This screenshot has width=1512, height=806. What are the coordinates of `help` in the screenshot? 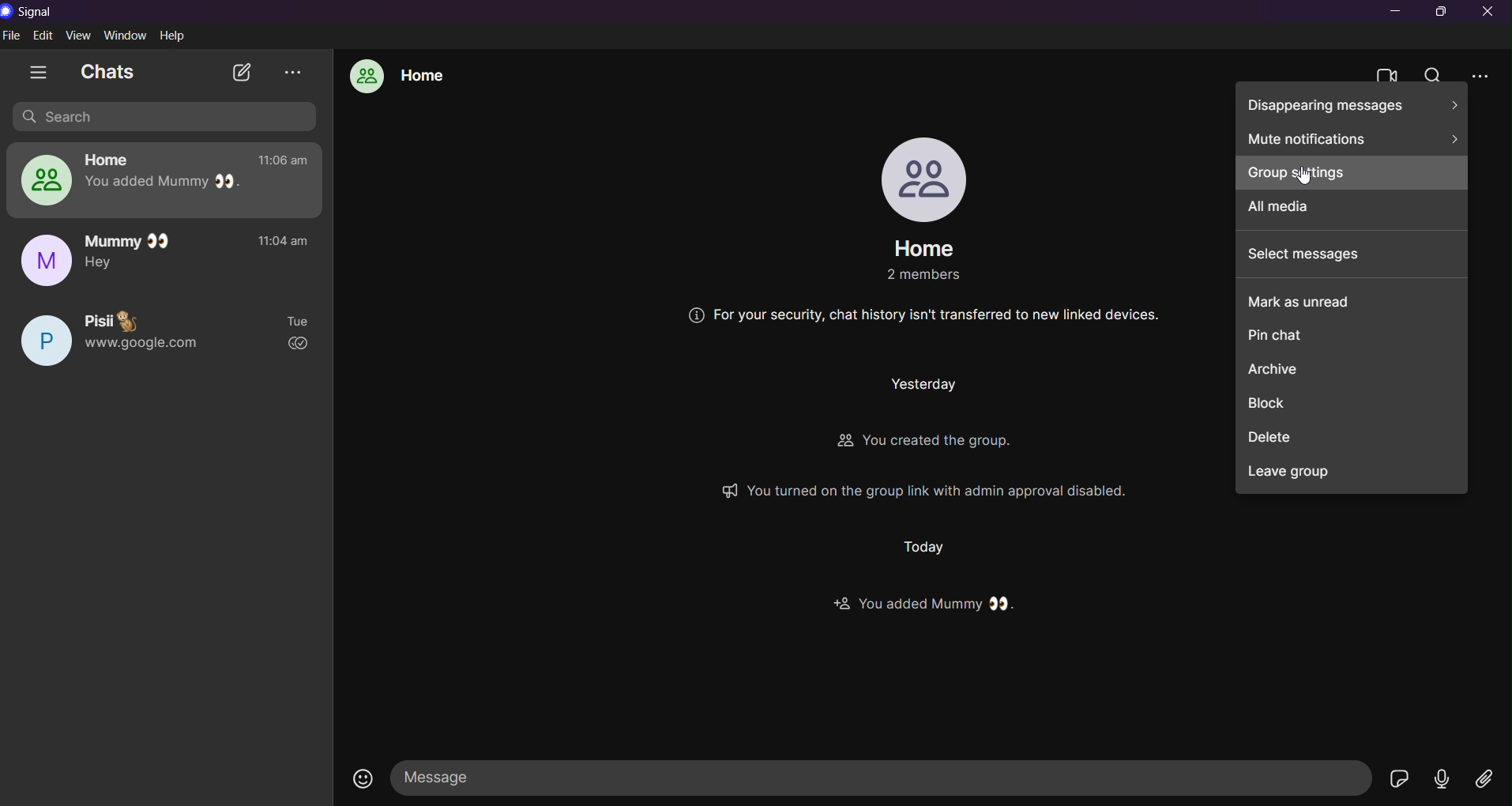 It's located at (175, 36).